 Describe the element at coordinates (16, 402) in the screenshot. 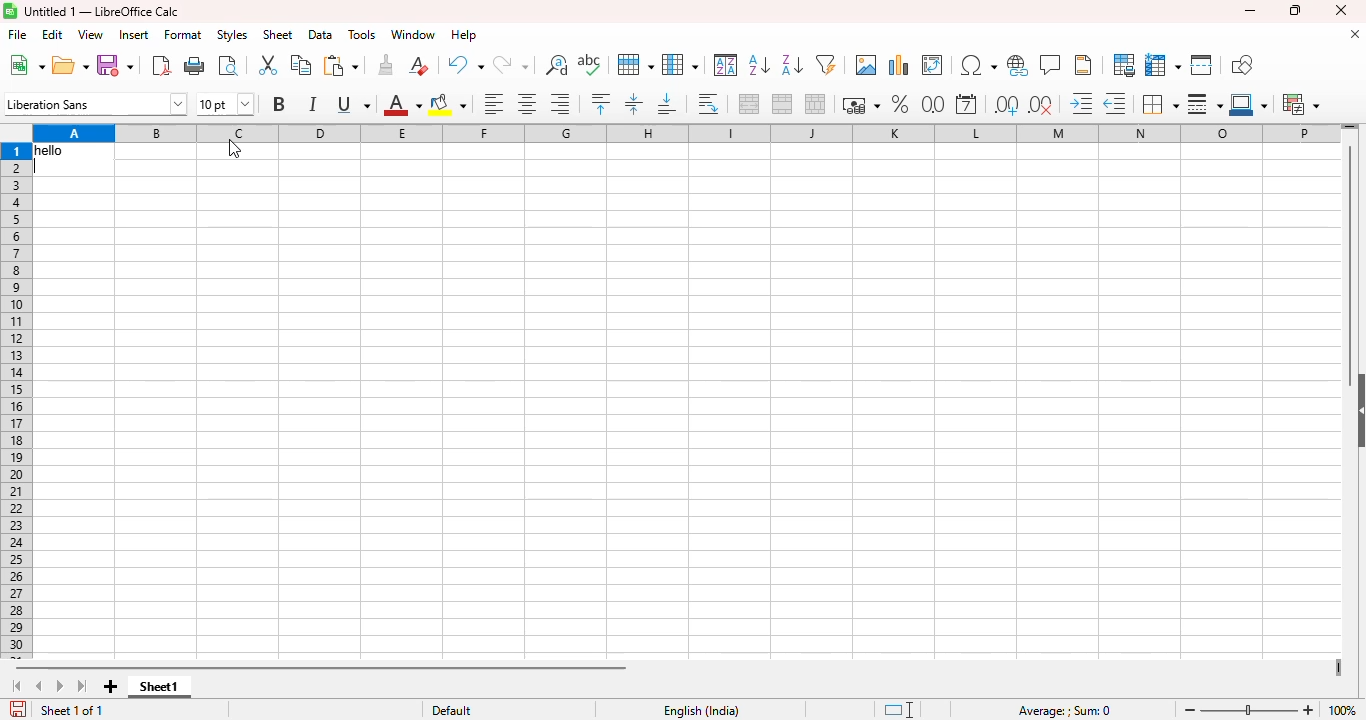

I see `rows` at that location.